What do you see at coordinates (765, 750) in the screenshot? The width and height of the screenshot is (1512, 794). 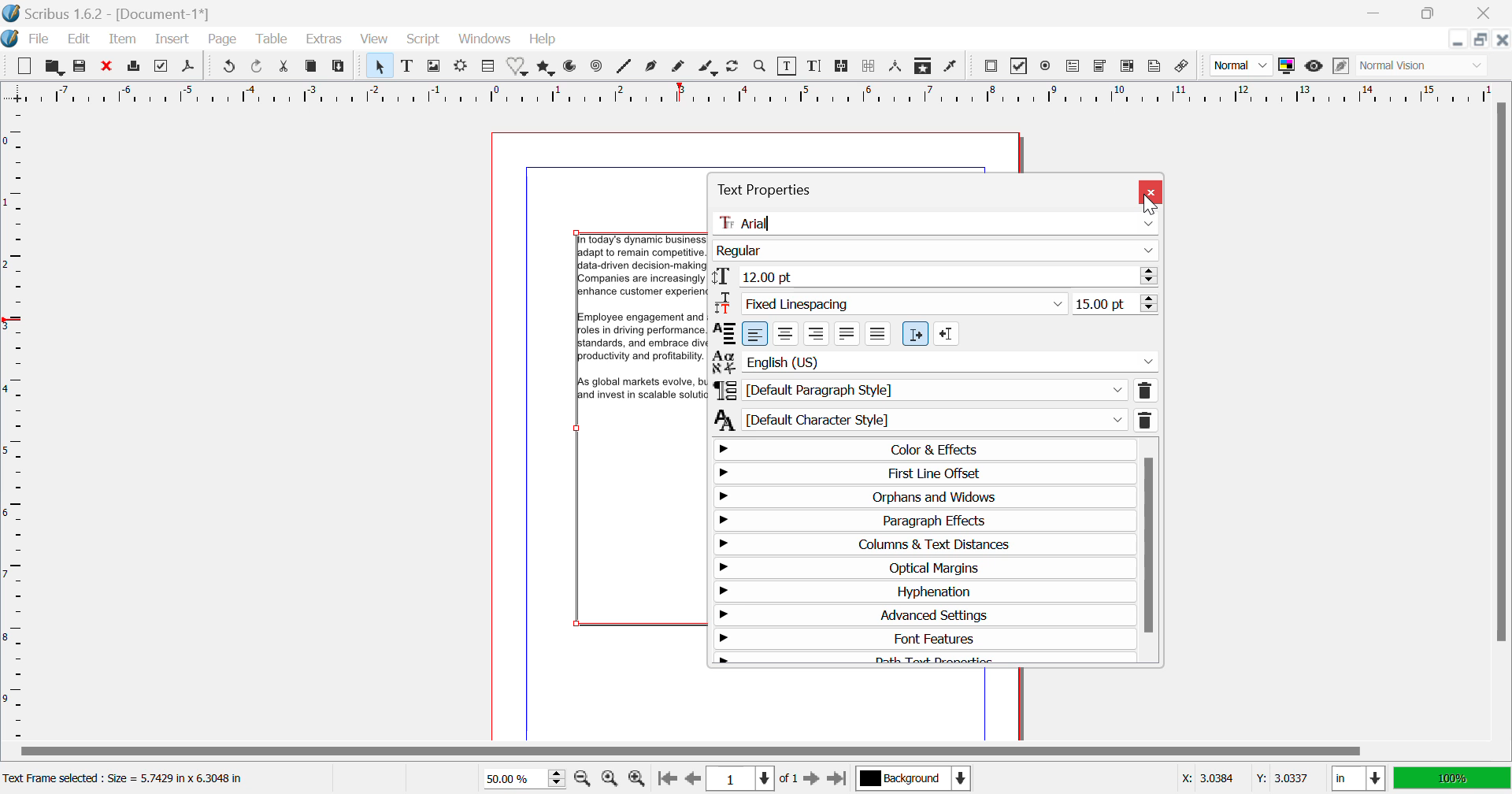 I see `Scroll Bar` at bounding box center [765, 750].